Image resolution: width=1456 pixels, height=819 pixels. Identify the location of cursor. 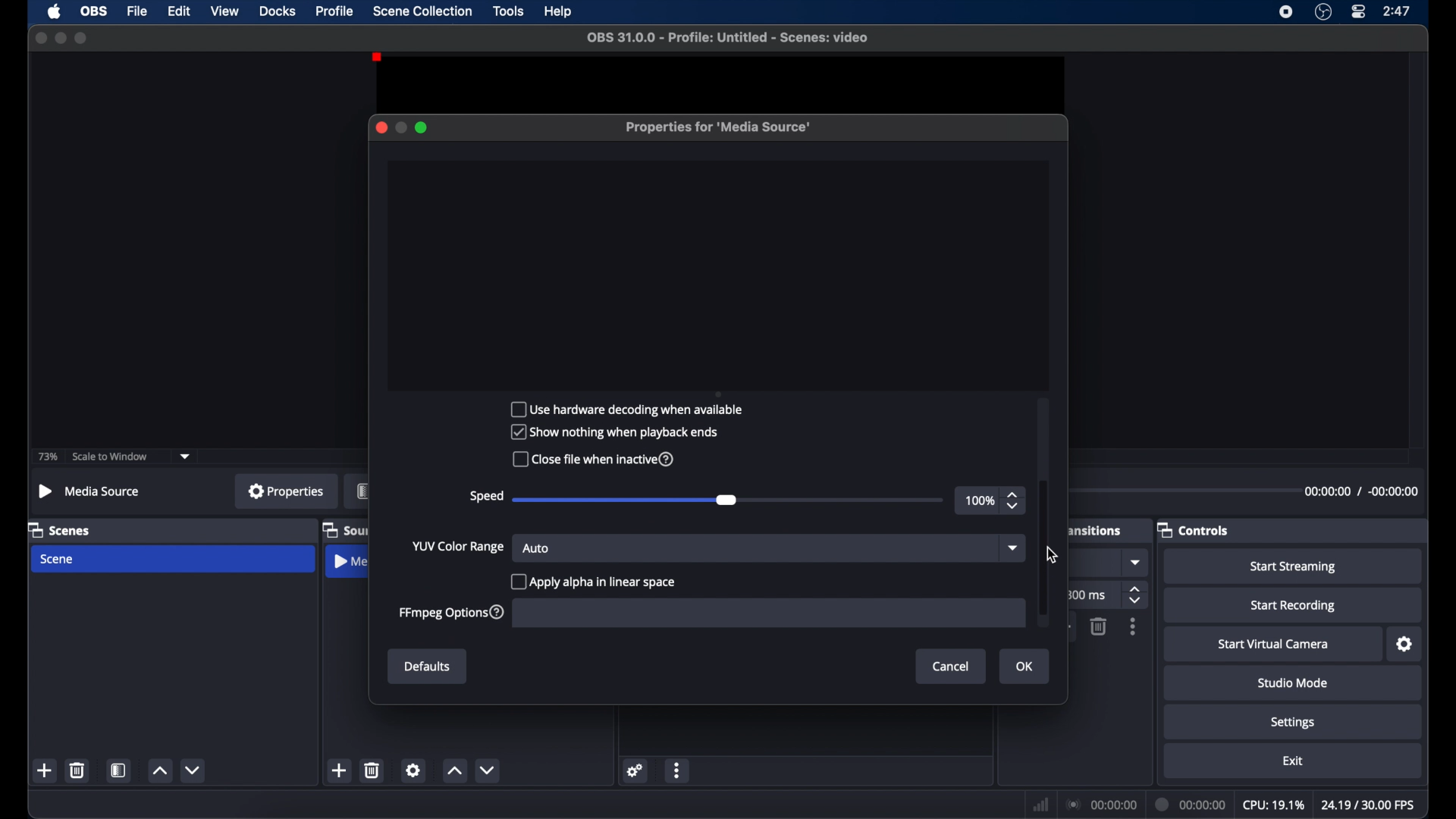
(1052, 555).